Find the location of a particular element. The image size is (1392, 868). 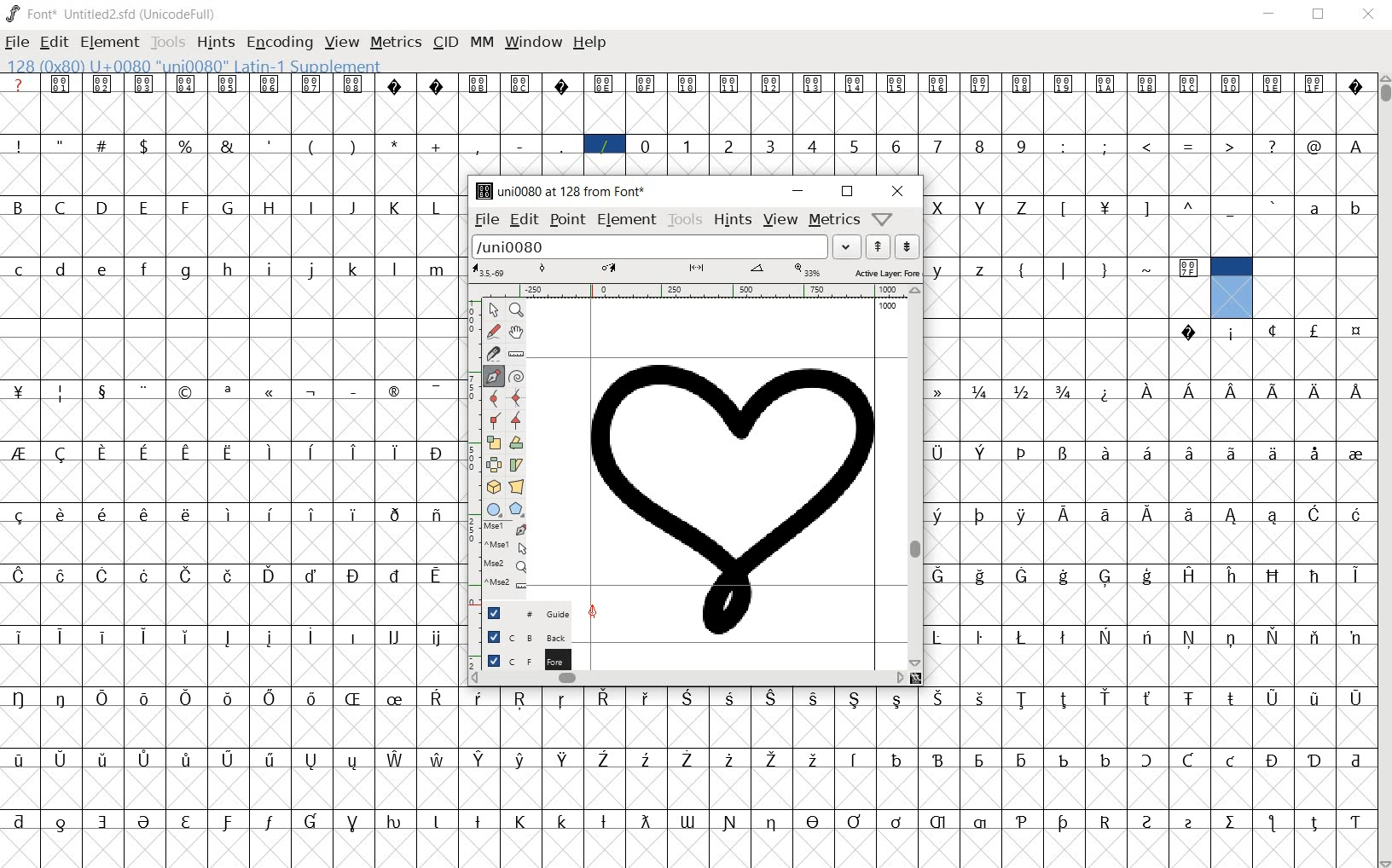

foreground layer is located at coordinates (518, 658).